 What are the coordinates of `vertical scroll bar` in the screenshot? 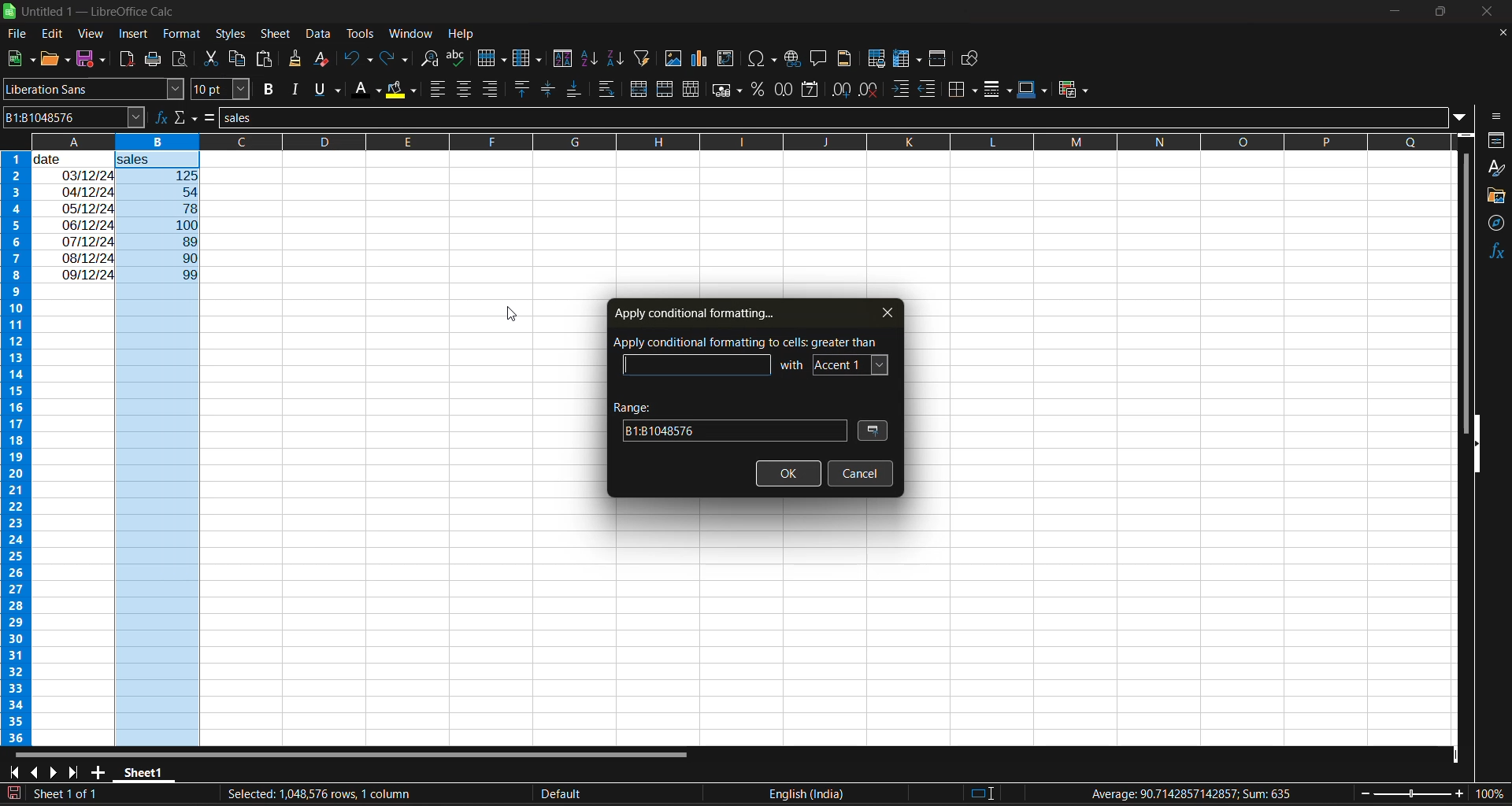 It's located at (1466, 278).